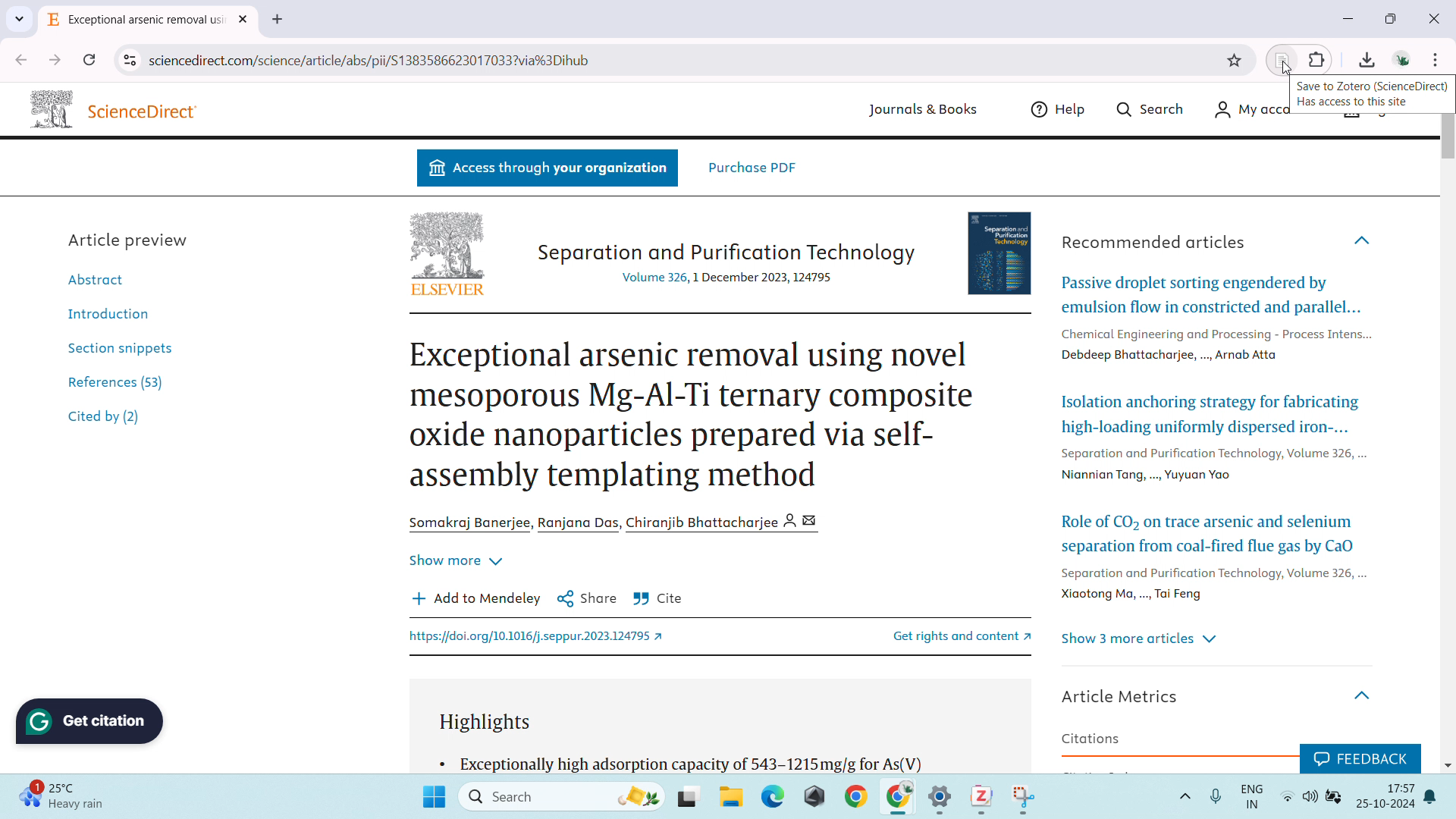 The image size is (1456, 819). Describe the element at coordinates (20, 59) in the screenshot. I see `click to go back, hold to see history` at that location.